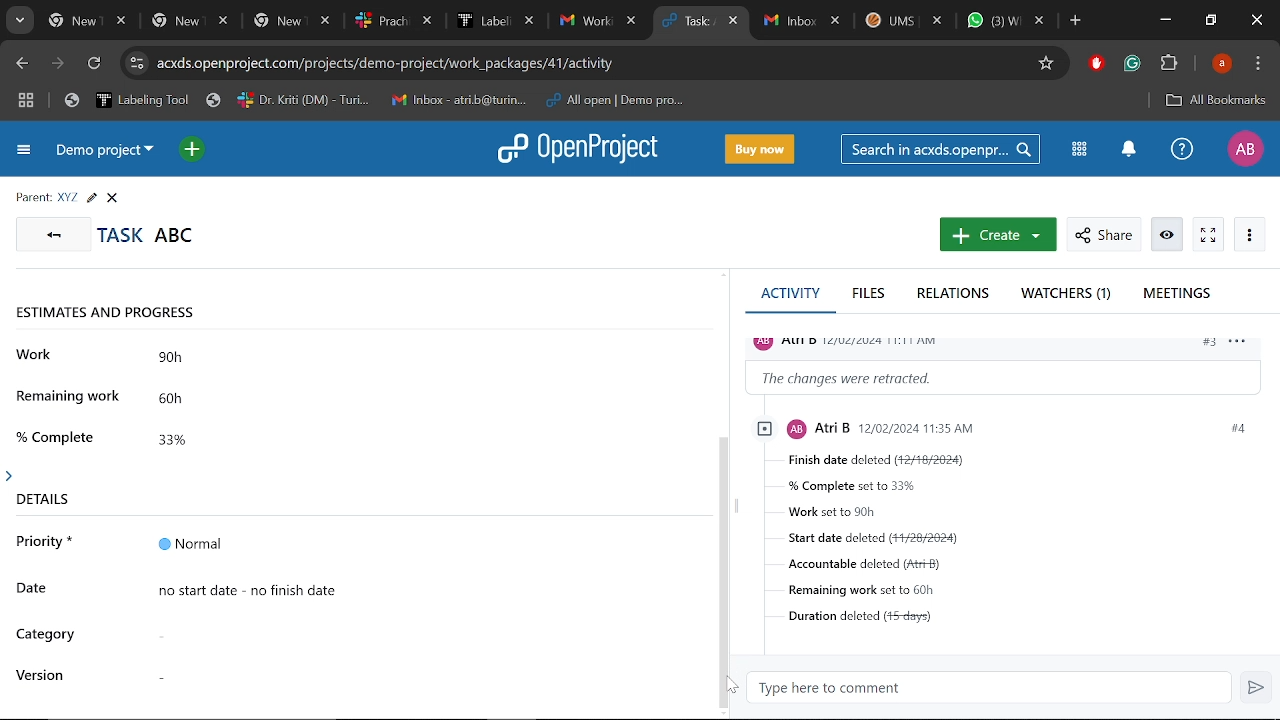 The height and width of the screenshot is (720, 1280). What do you see at coordinates (735, 23) in the screenshot?
I see `Close current tab` at bounding box center [735, 23].